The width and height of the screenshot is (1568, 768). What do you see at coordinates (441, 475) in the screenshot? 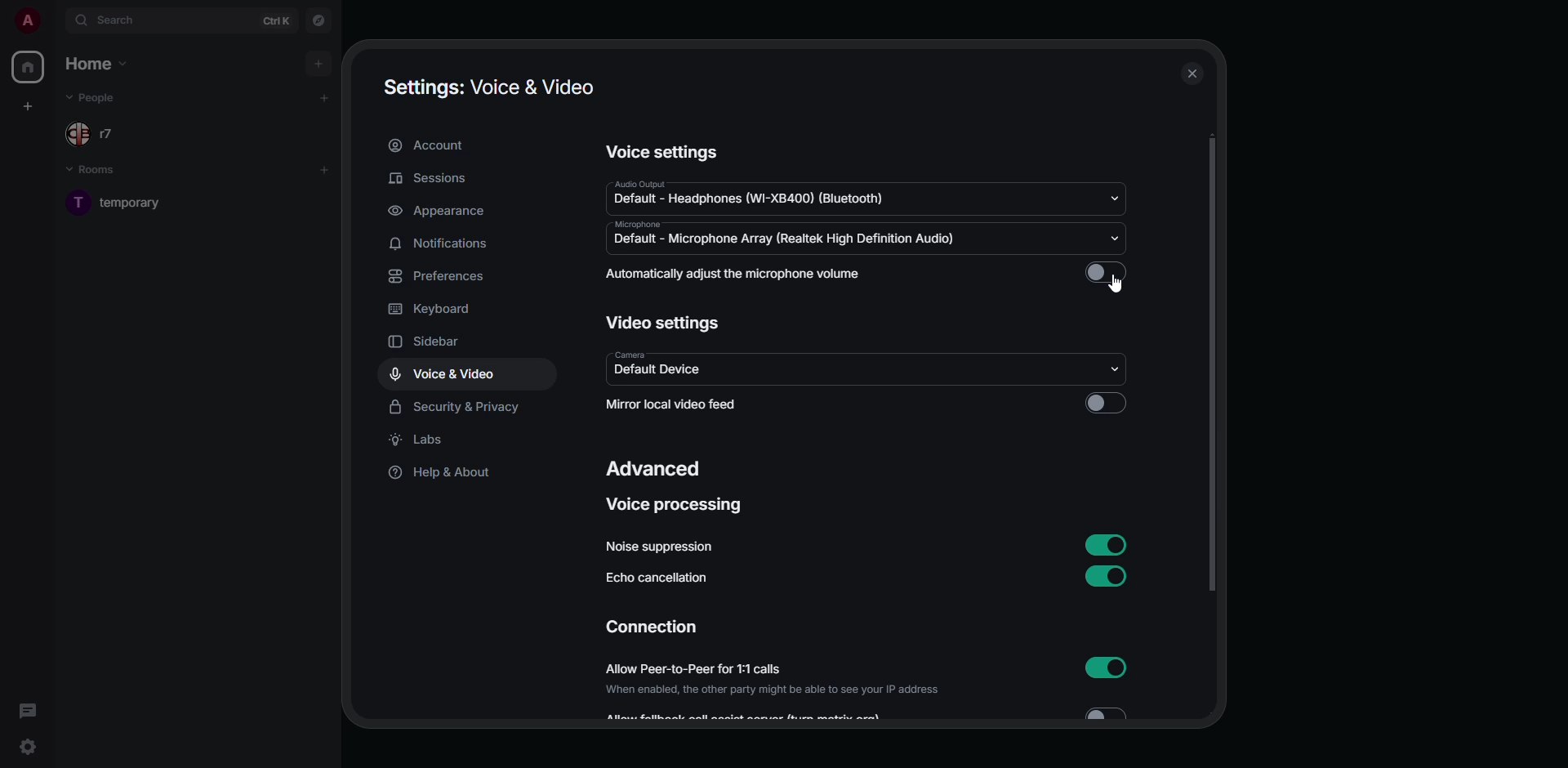
I see `help & about` at bounding box center [441, 475].